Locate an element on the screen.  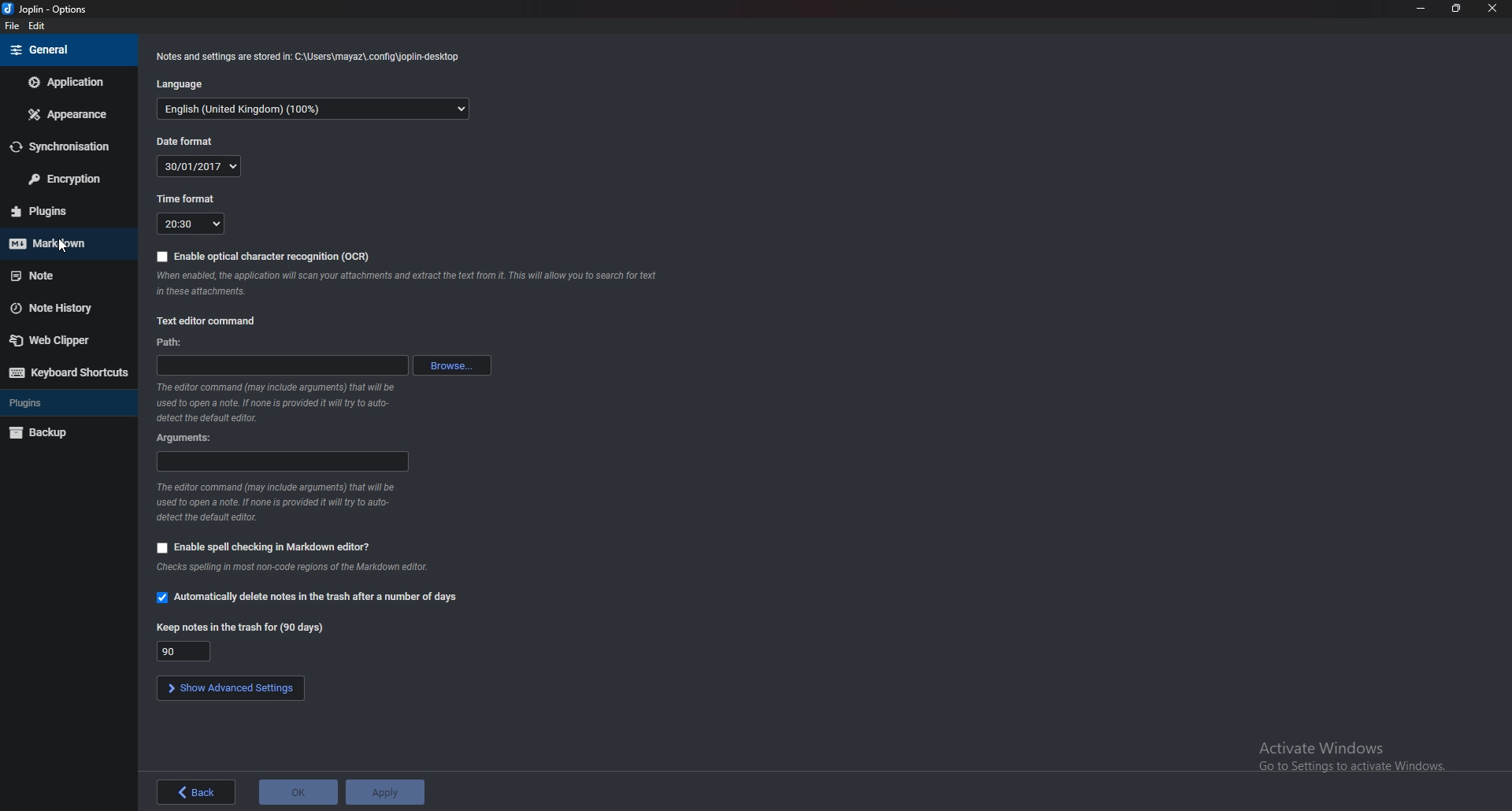
path is located at coordinates (171, 342).